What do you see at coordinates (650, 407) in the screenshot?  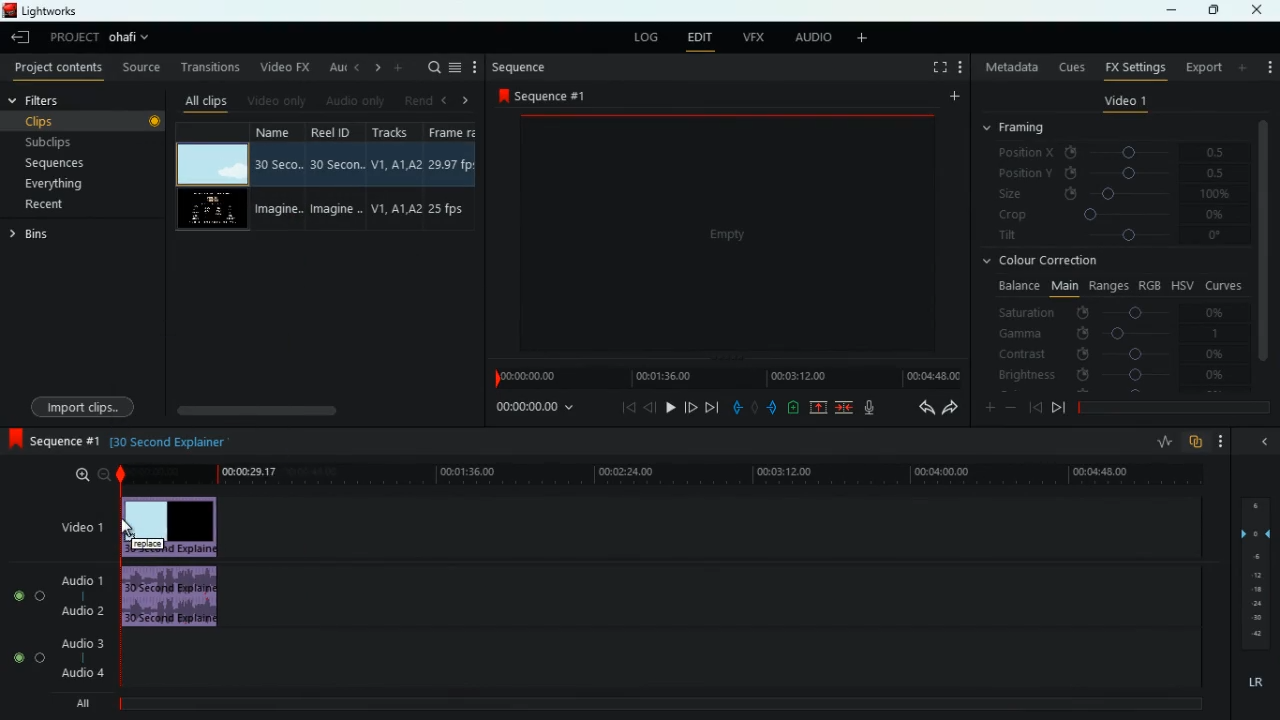 I see `back` at bounding box center [650, 407].